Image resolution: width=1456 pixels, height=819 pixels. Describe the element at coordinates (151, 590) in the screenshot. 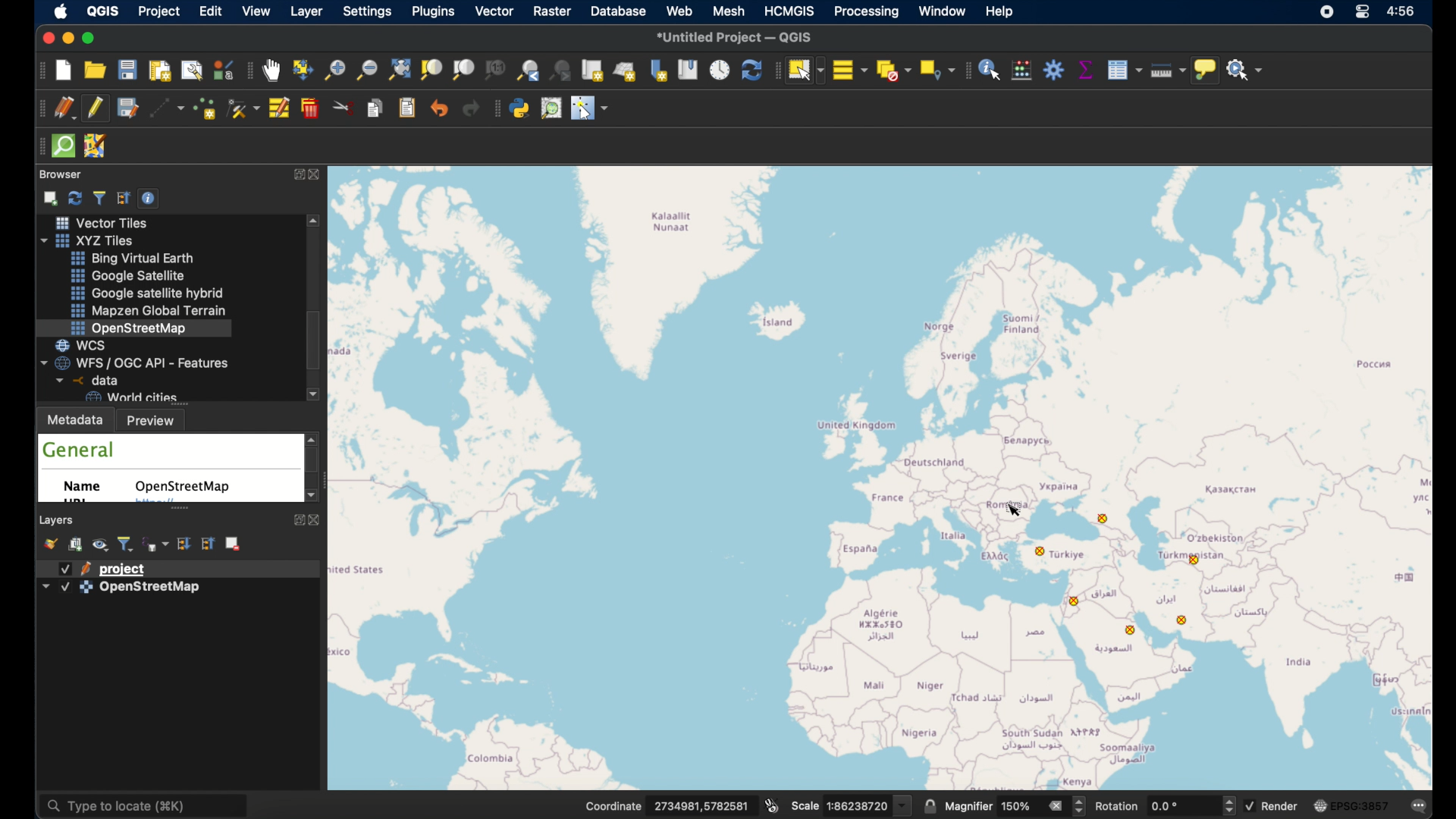

I see `openstreetmap layer` at that location.